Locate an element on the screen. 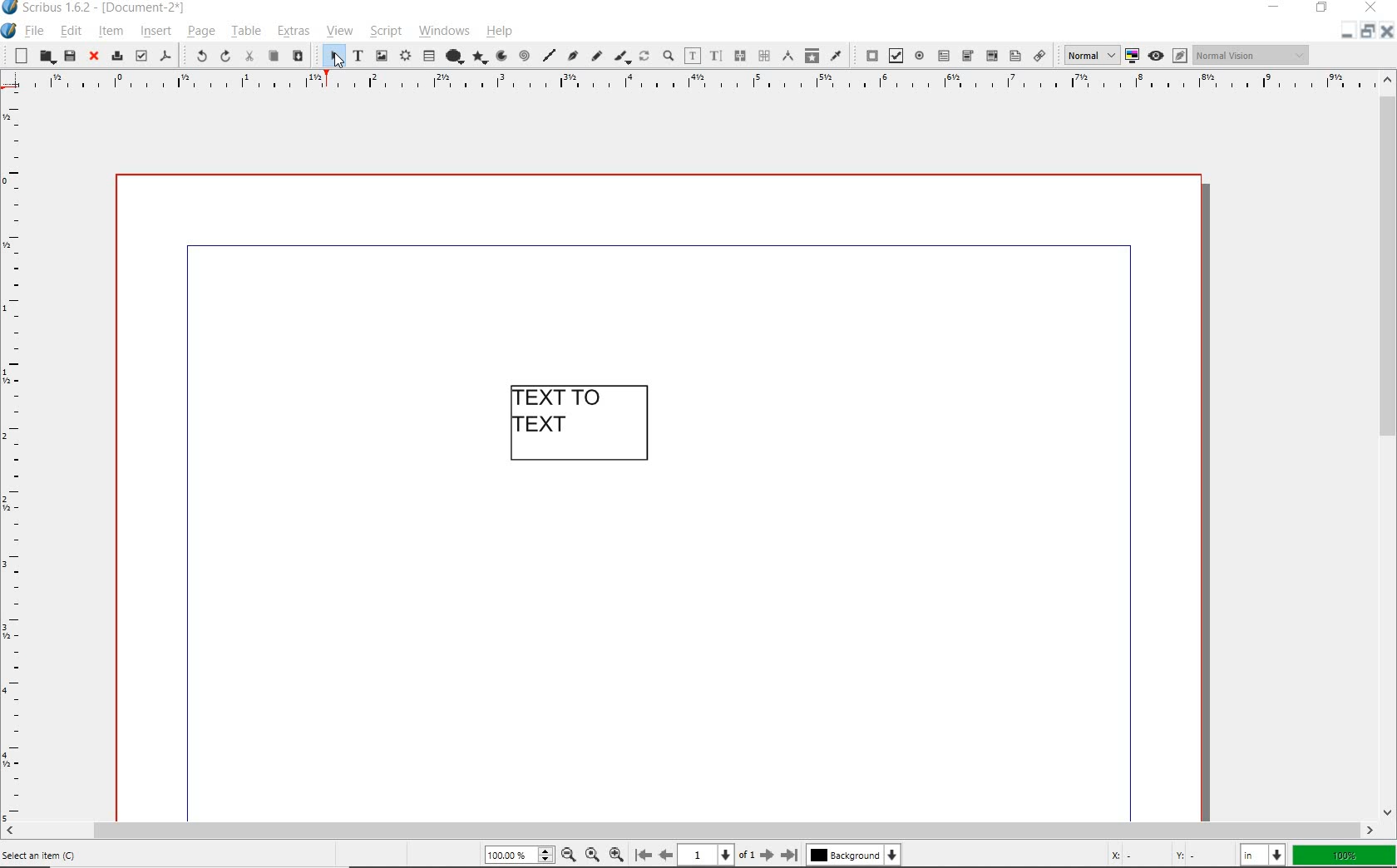  coordinates is located at coordinates (1152, 855).